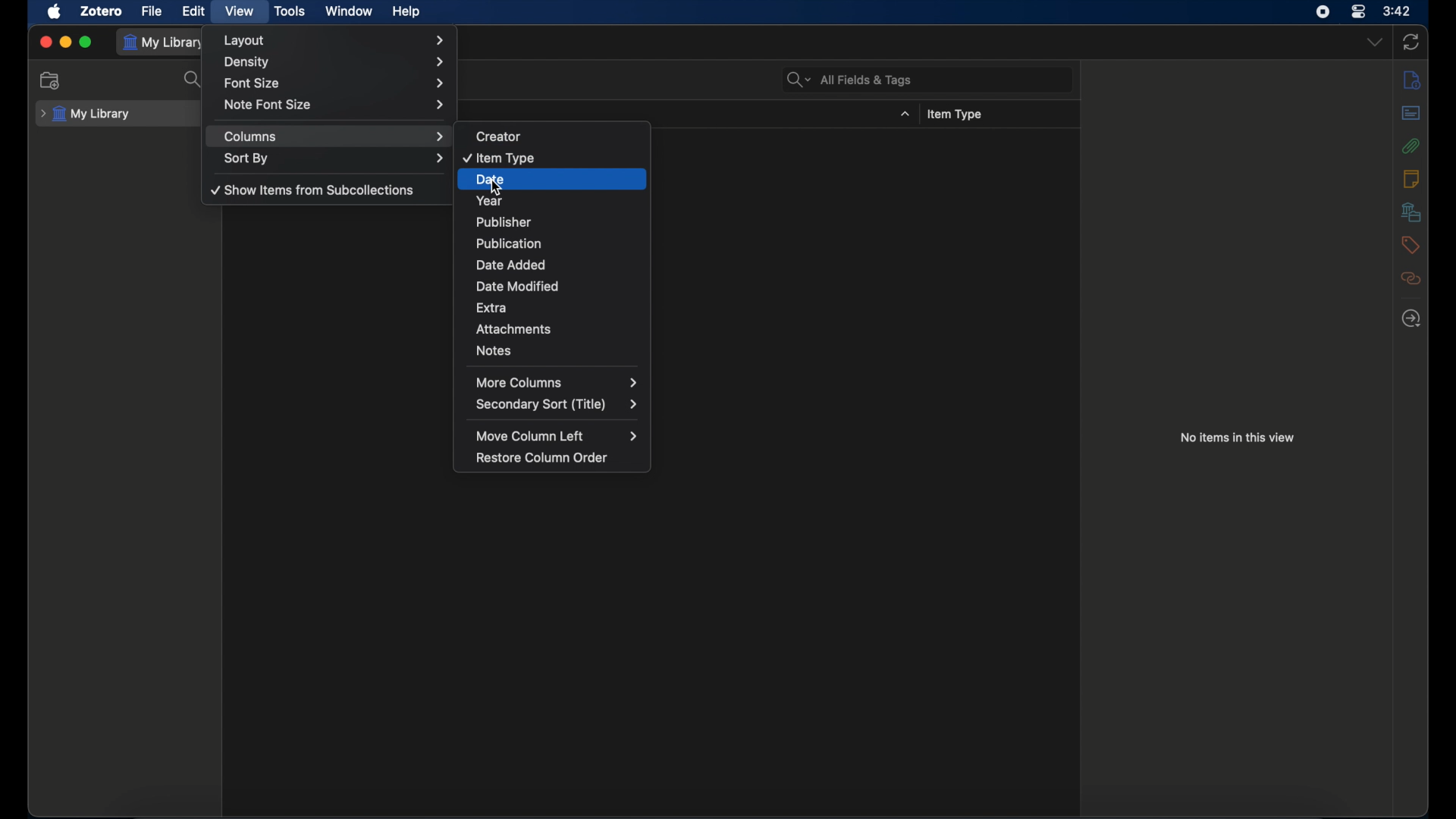 The image size is (1456, 819). What do you see at coordinates (1375, 42) in the screenshot?
I see `dropdown` at bounding box center [1375, 42].